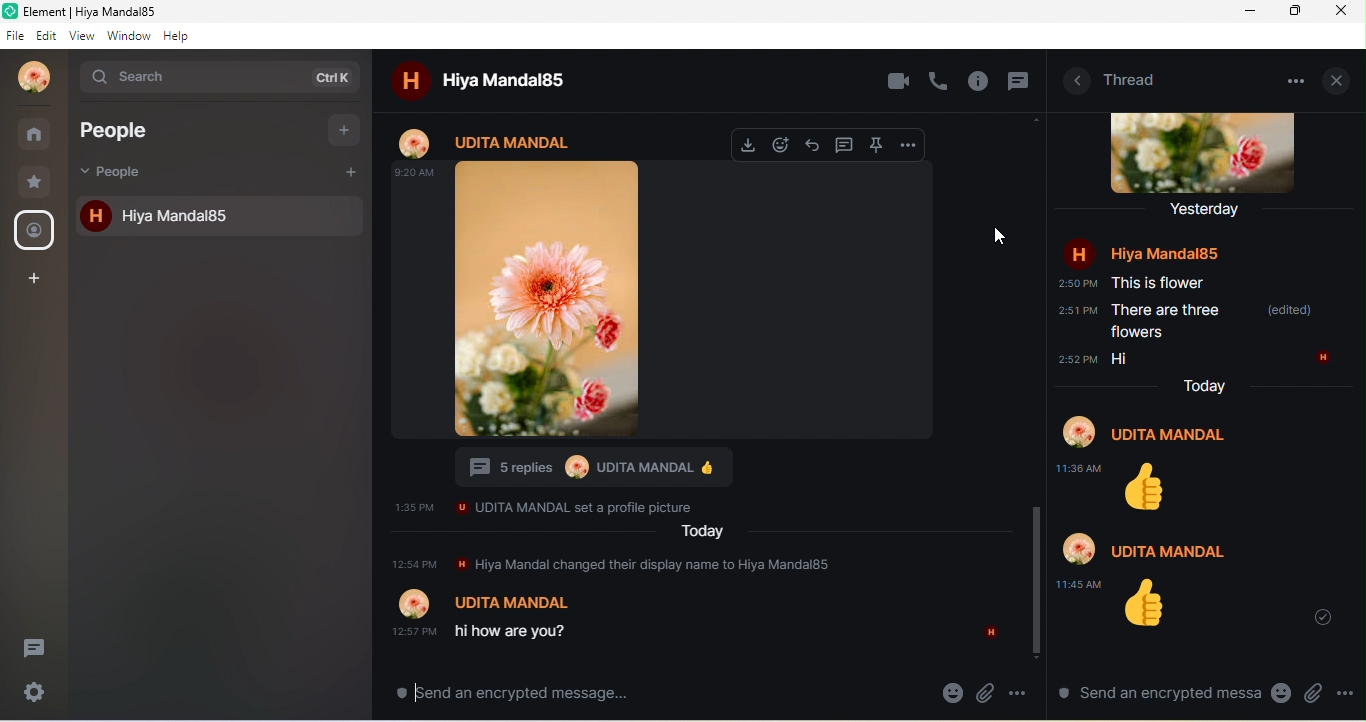 Image resolution: width=1366 pixels, height=722 pixels. I want to click on info, so click(980, 82).